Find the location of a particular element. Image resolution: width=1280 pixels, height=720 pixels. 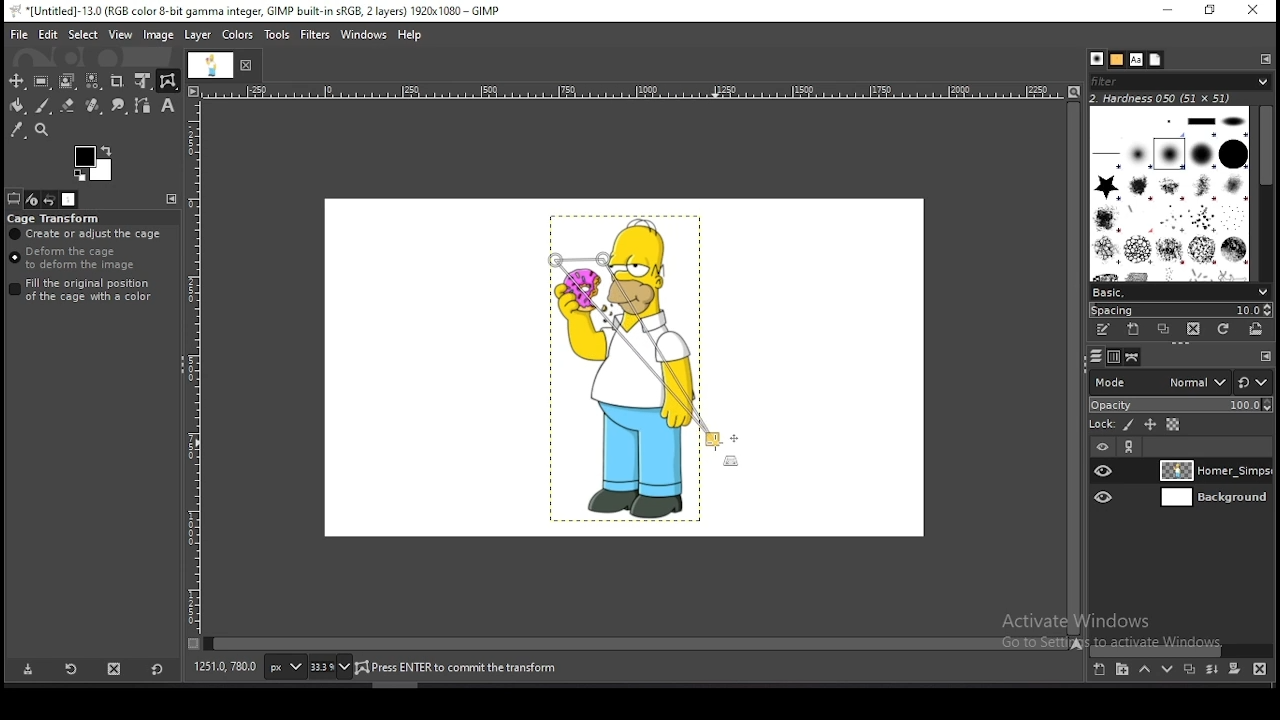

lock position and size is located at coordinates (1149, 425).